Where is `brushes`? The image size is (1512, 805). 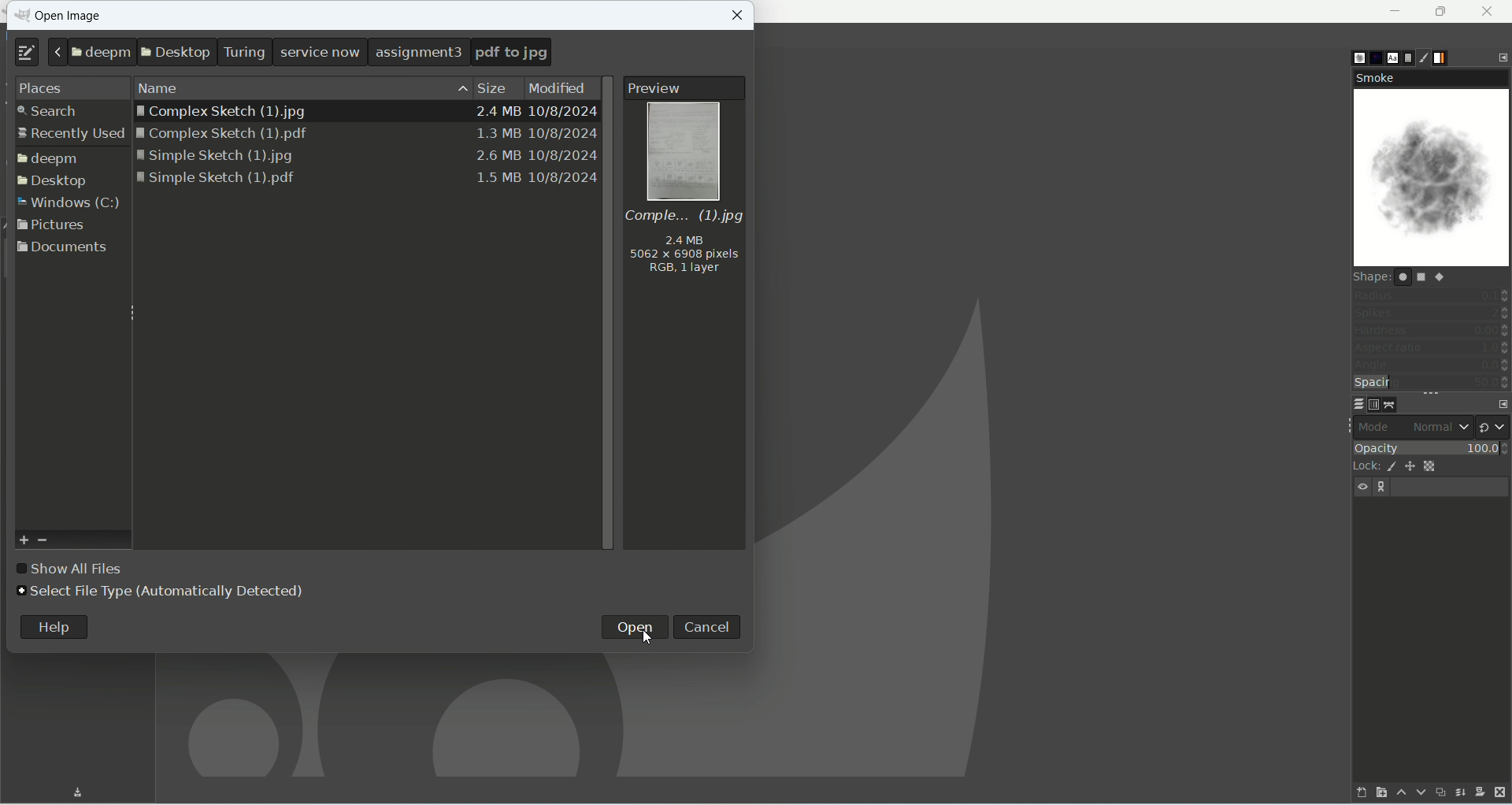
brushes is located at coordinates (1354, 58).